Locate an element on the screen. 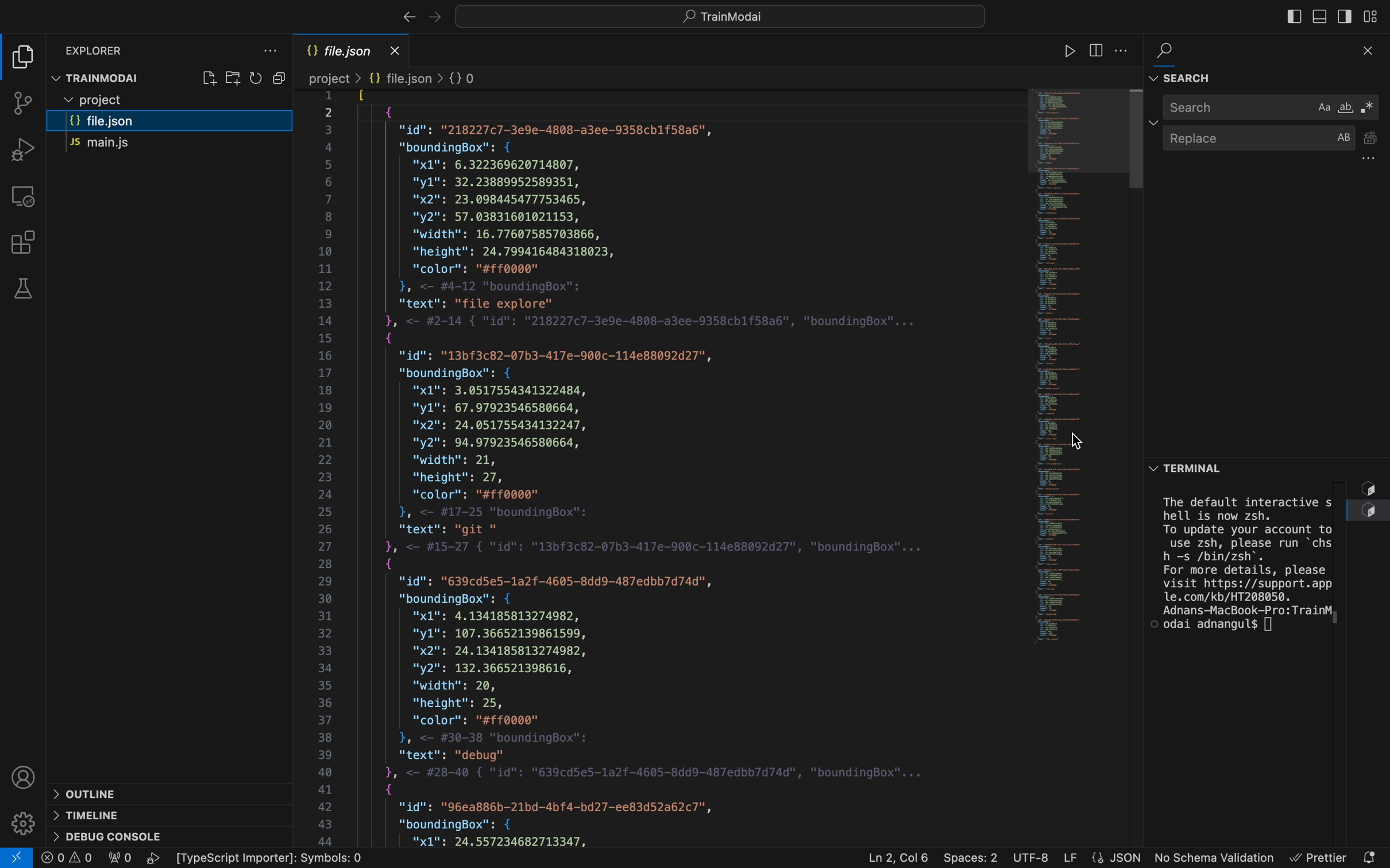  layouts is located at coordinates (1374, 15).